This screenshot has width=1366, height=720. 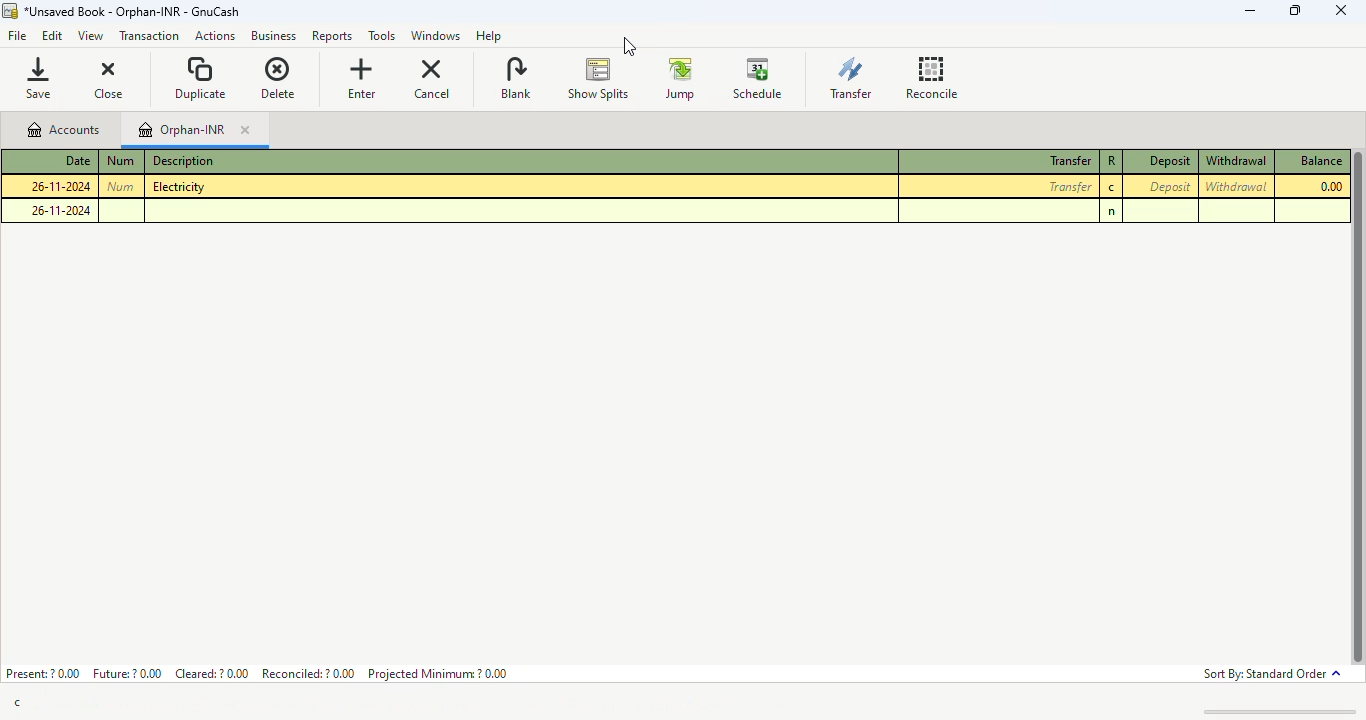 What do you see at coordinates (42, 673) in the screenshot?
I see `present: ? 0.00` at bounding box center [42, 673].